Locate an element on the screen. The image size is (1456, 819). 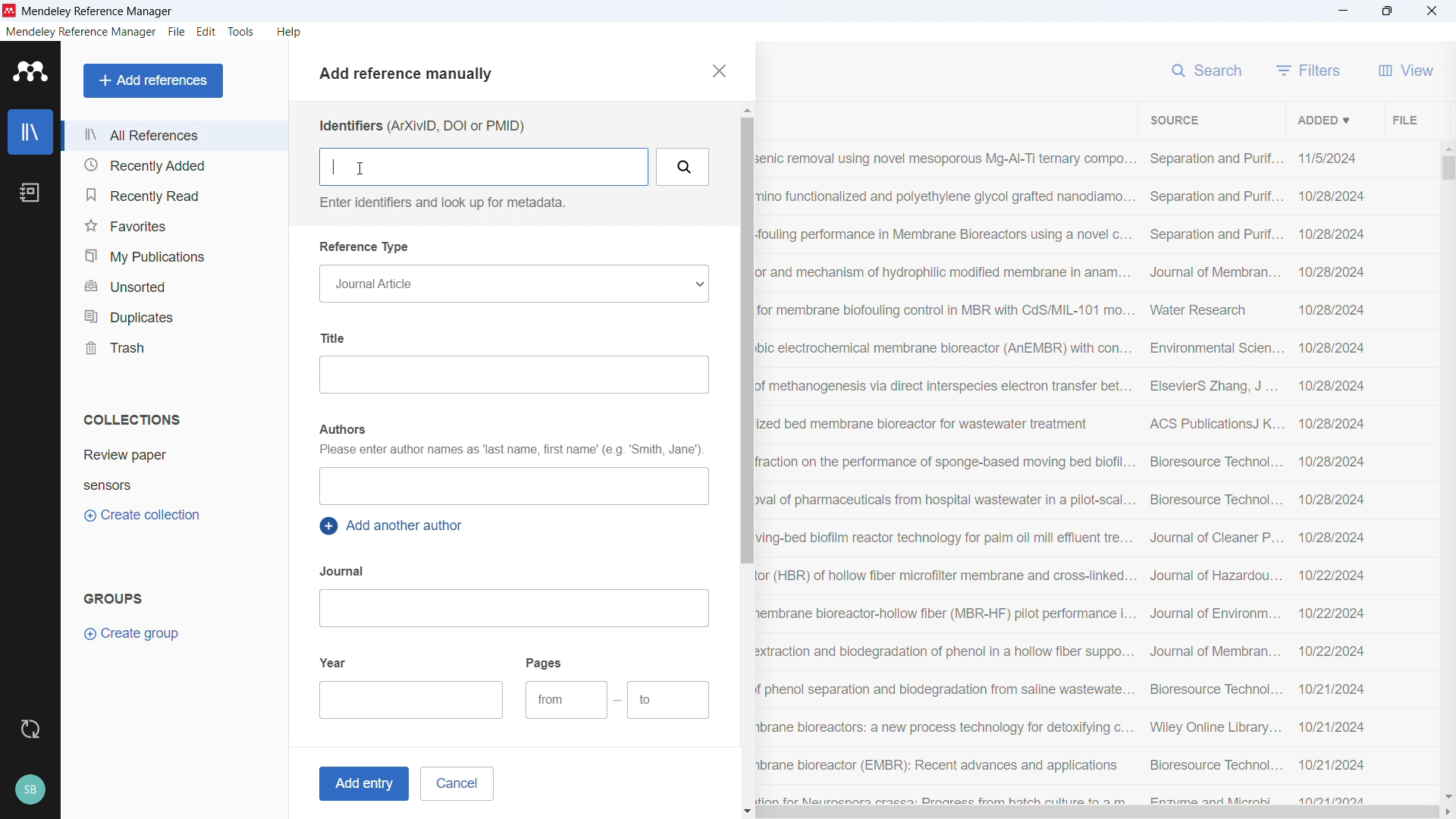
Library  is located at coordinates (30, 132).